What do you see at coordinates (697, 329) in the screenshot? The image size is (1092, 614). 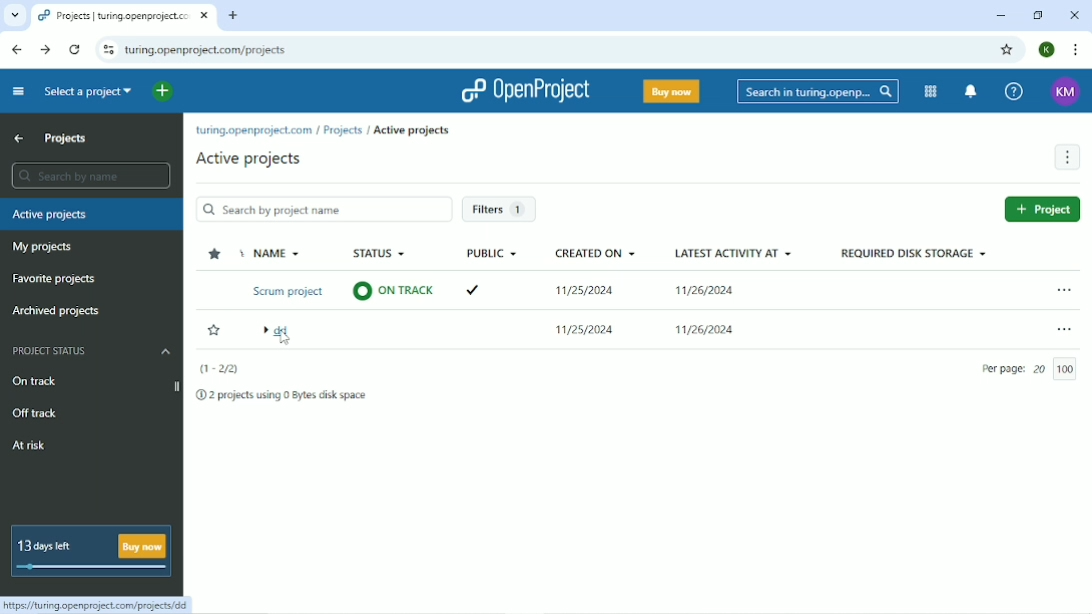 I see `11/26/2024` at bounding box center [697, 329].